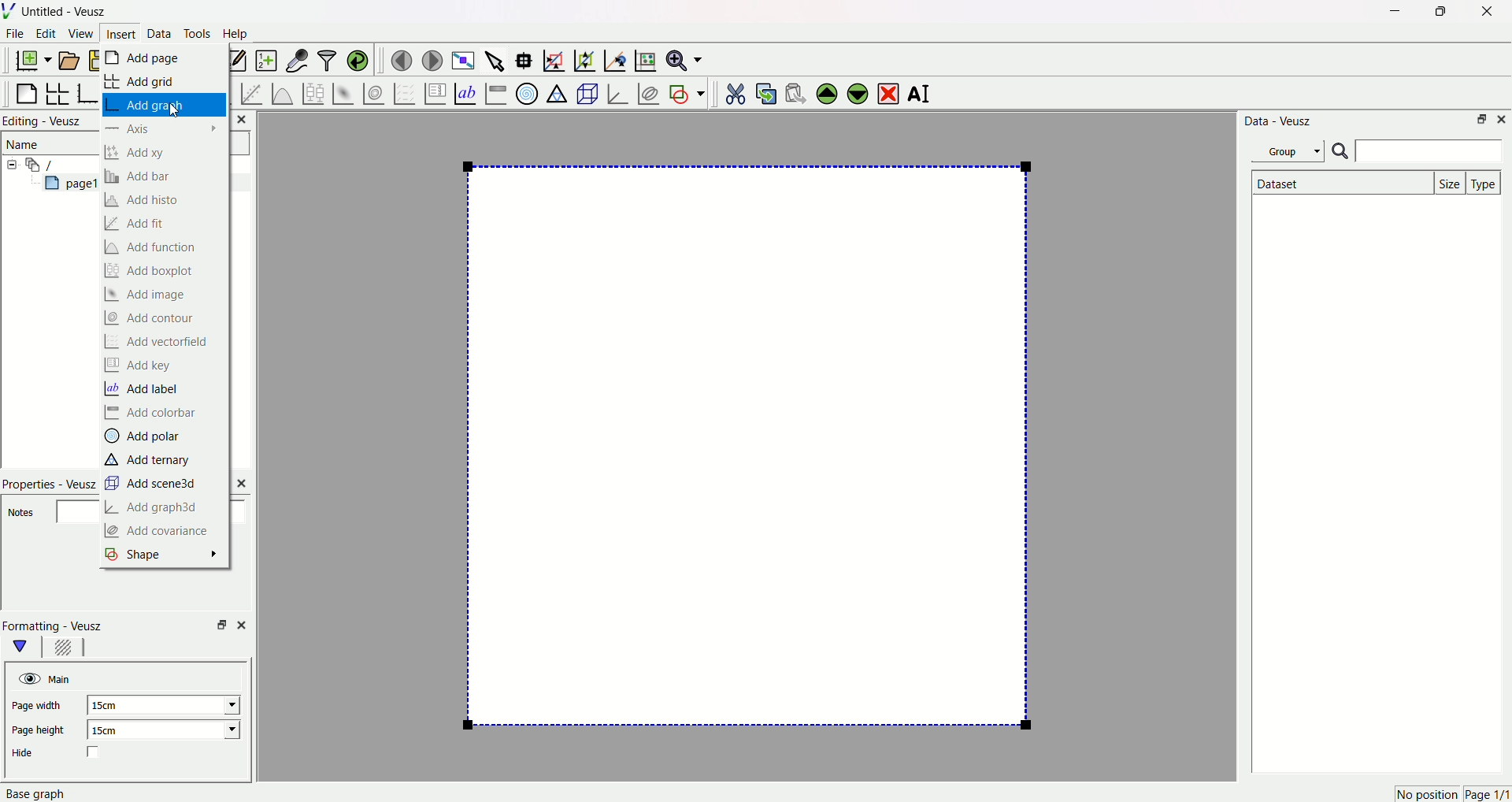 Image resolution: width=1512 pixels, height=802 pixels. Describe the element at coordinates (735, 91) in the screenshot. I see `cut the widgets` at that location.